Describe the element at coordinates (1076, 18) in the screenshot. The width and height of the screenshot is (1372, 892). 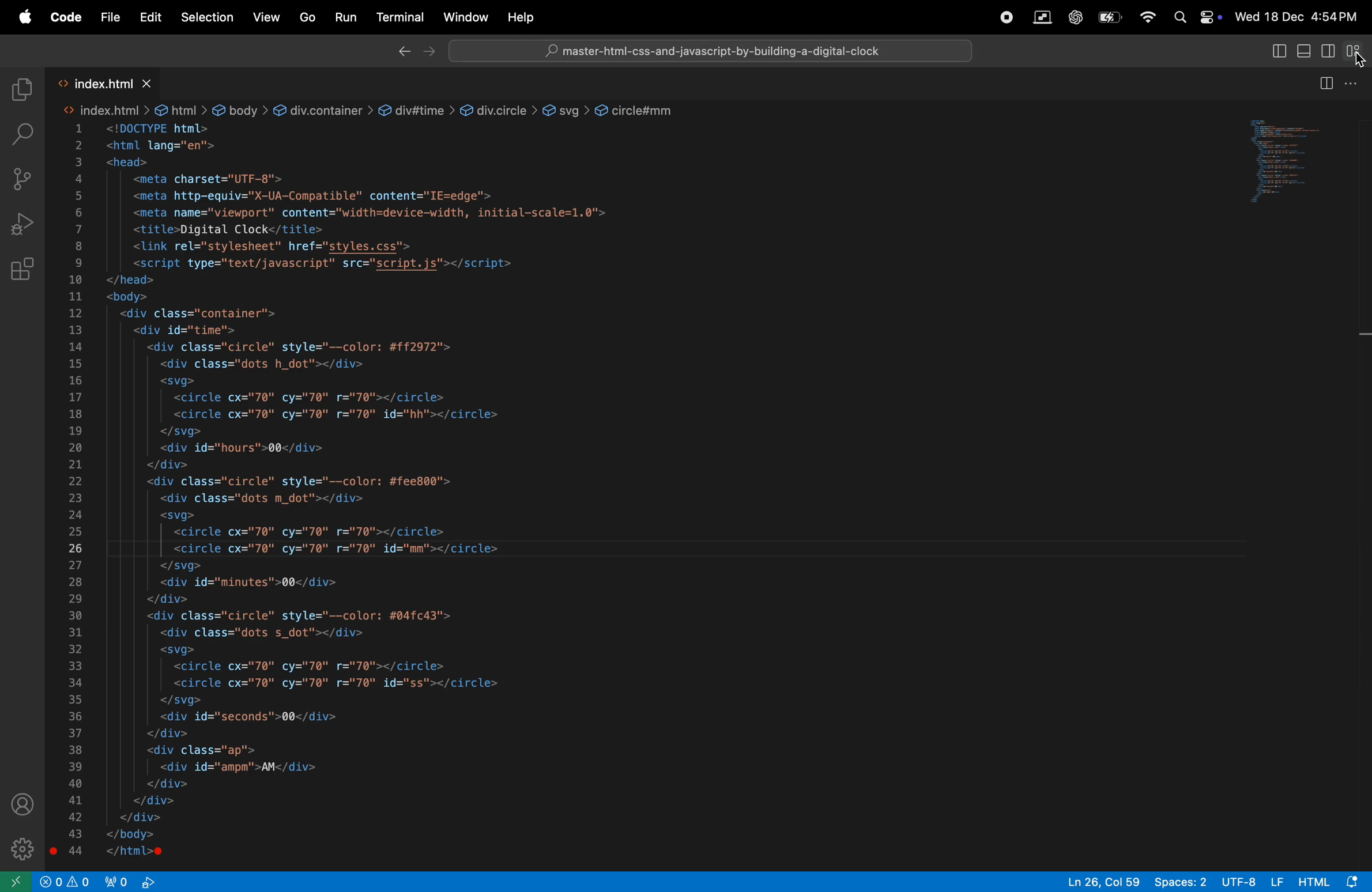
I see `chatgpt` at that location.